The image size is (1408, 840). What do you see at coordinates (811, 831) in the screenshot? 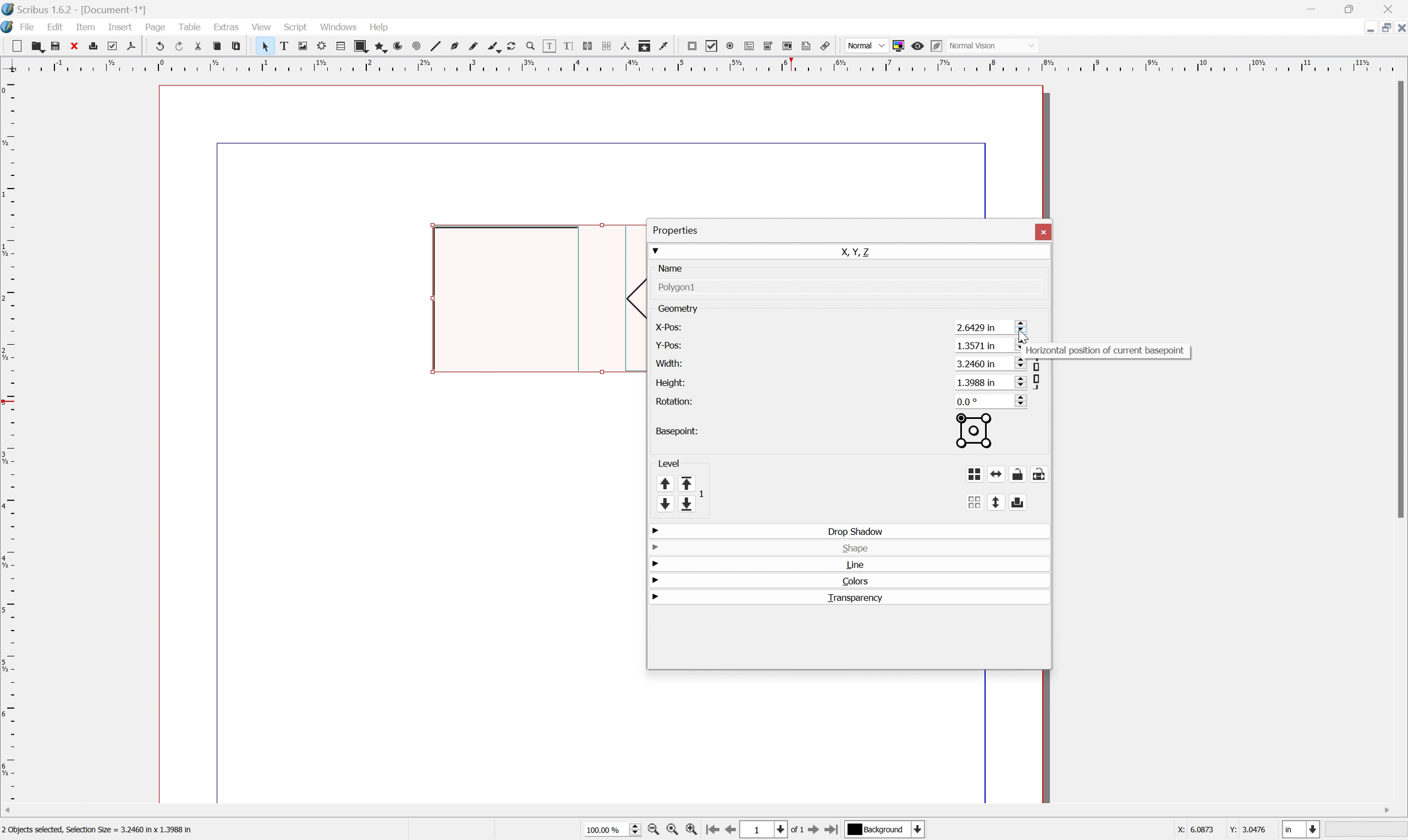
I see `Go to next page` at bounding box center [811, 831].